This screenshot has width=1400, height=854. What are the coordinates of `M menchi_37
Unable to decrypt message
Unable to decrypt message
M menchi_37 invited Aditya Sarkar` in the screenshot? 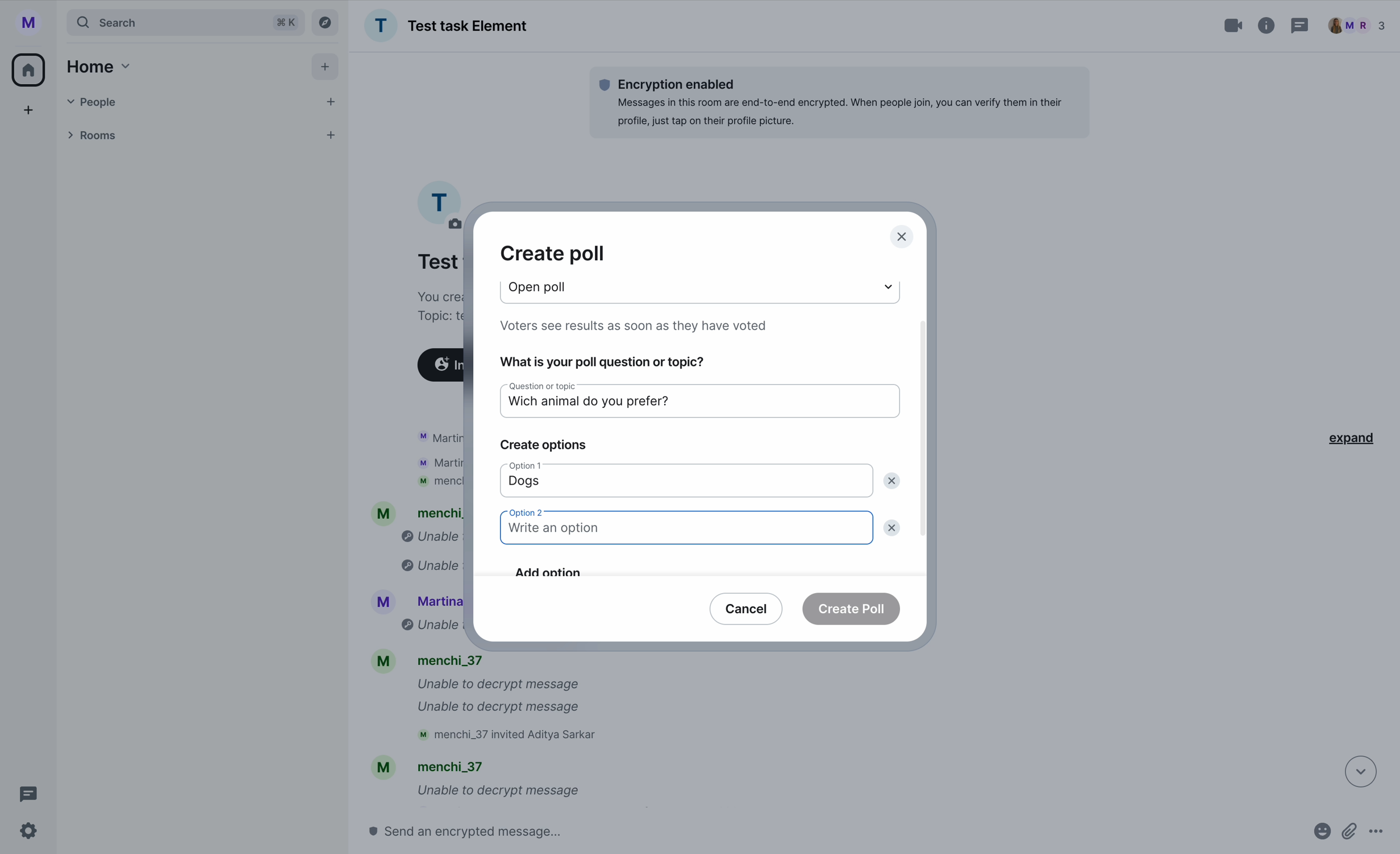 It's located at (491, 700).